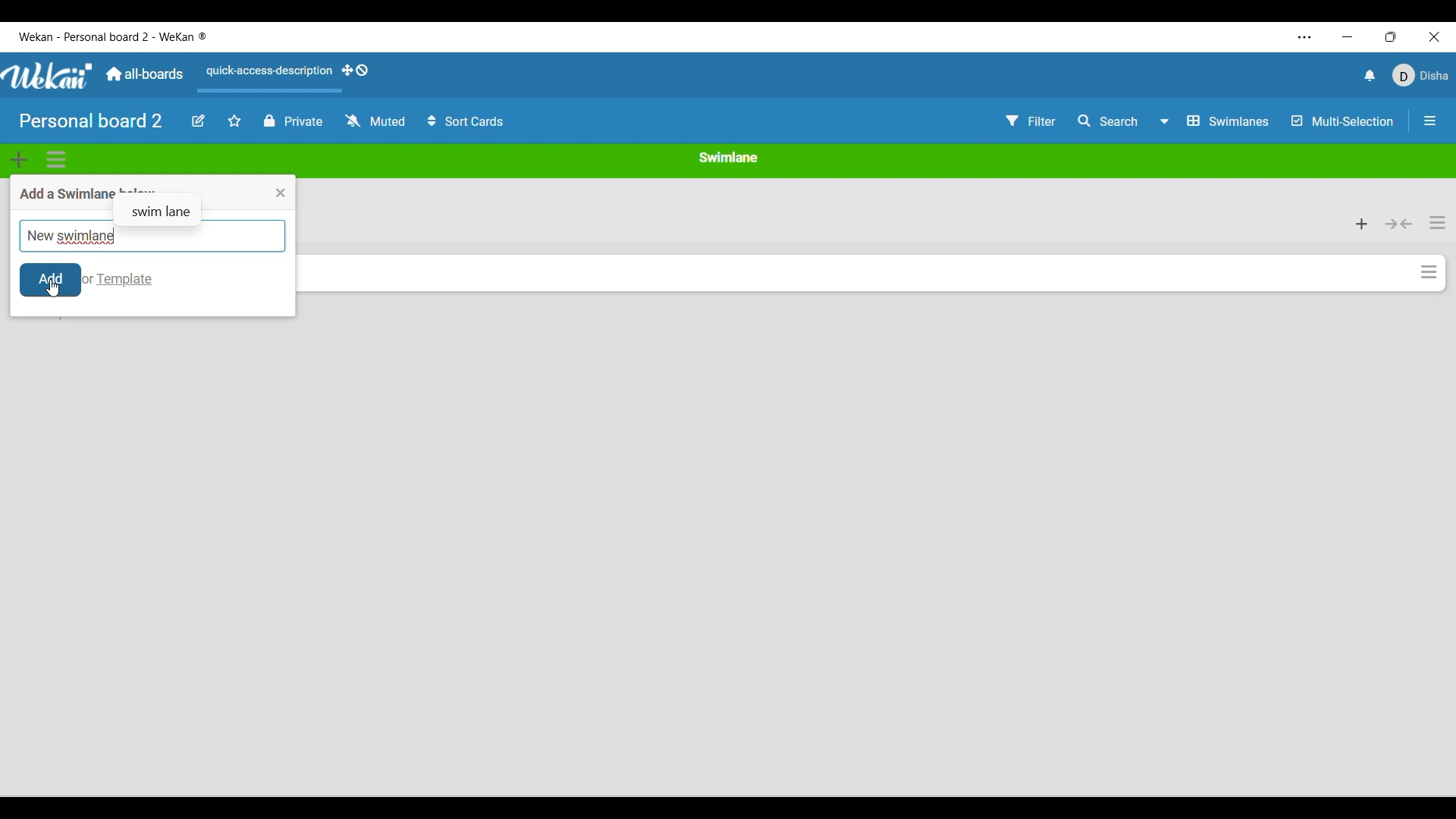 The height and width of the screenshot is (819, 1456). What do you see at coordinates (113, 37) in the screenshot?
I see `Software and board logo` at bounding box center [113, 37].